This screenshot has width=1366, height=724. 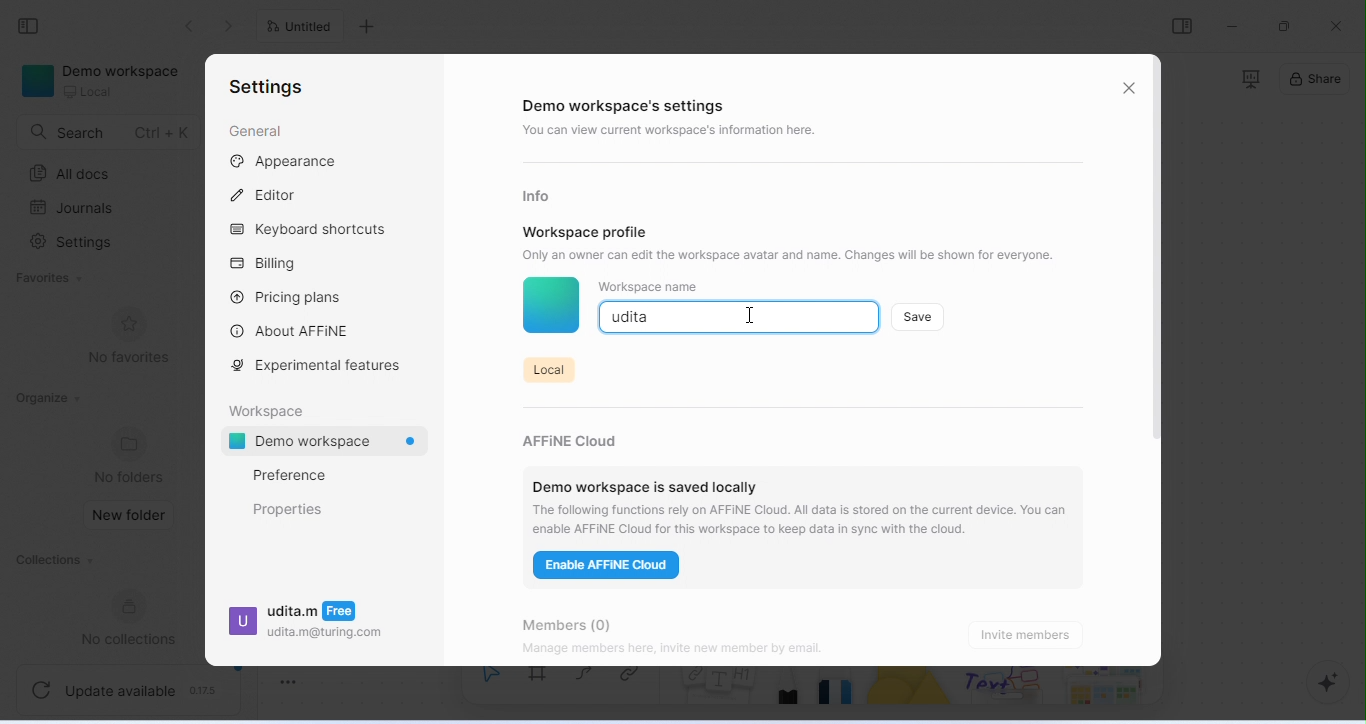 I want to click on info, so click(x=540, y=195).